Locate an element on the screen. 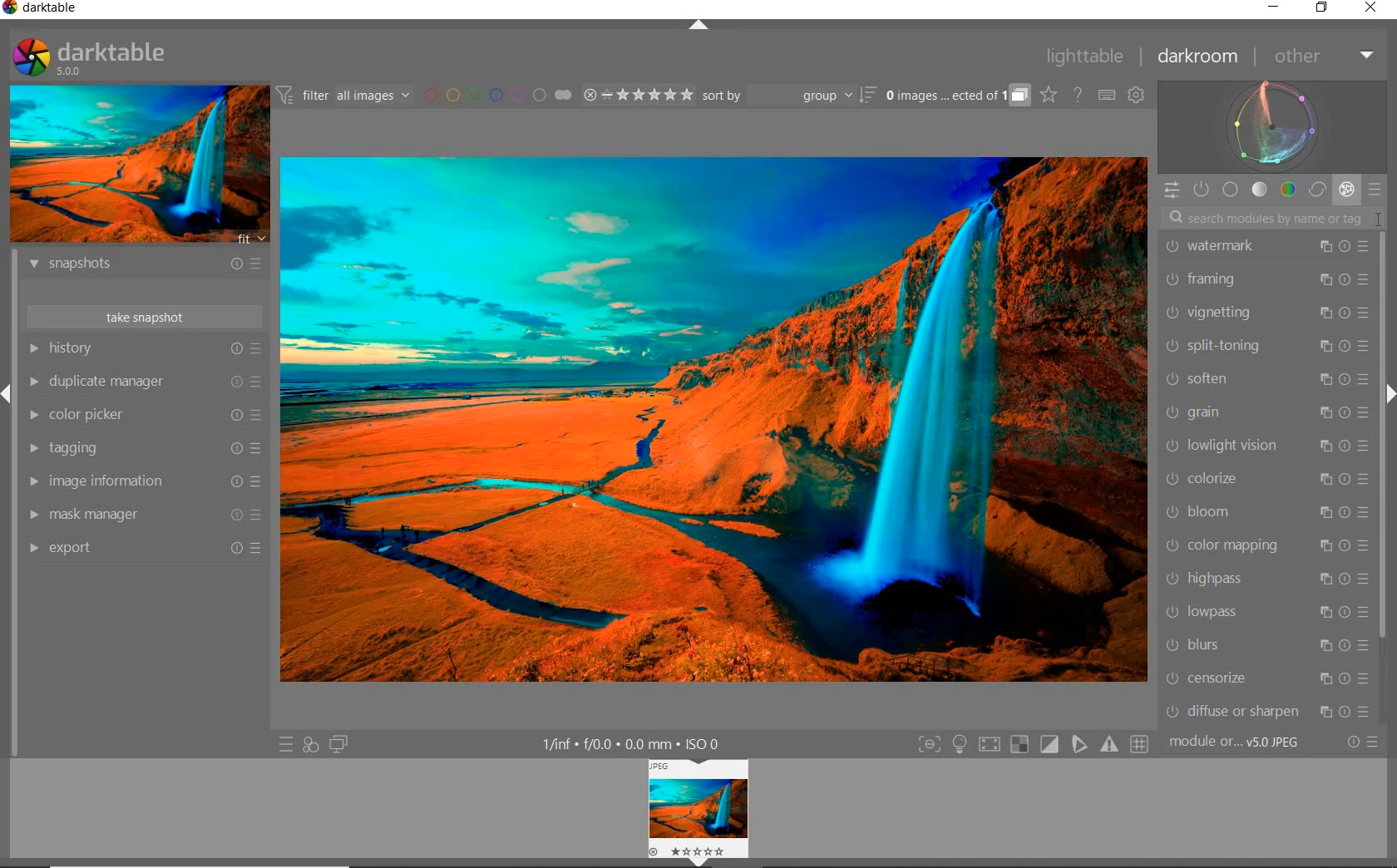 The width and height of the screenshot is (1397, 868). color mapping is located at coordinates (1266, 545).